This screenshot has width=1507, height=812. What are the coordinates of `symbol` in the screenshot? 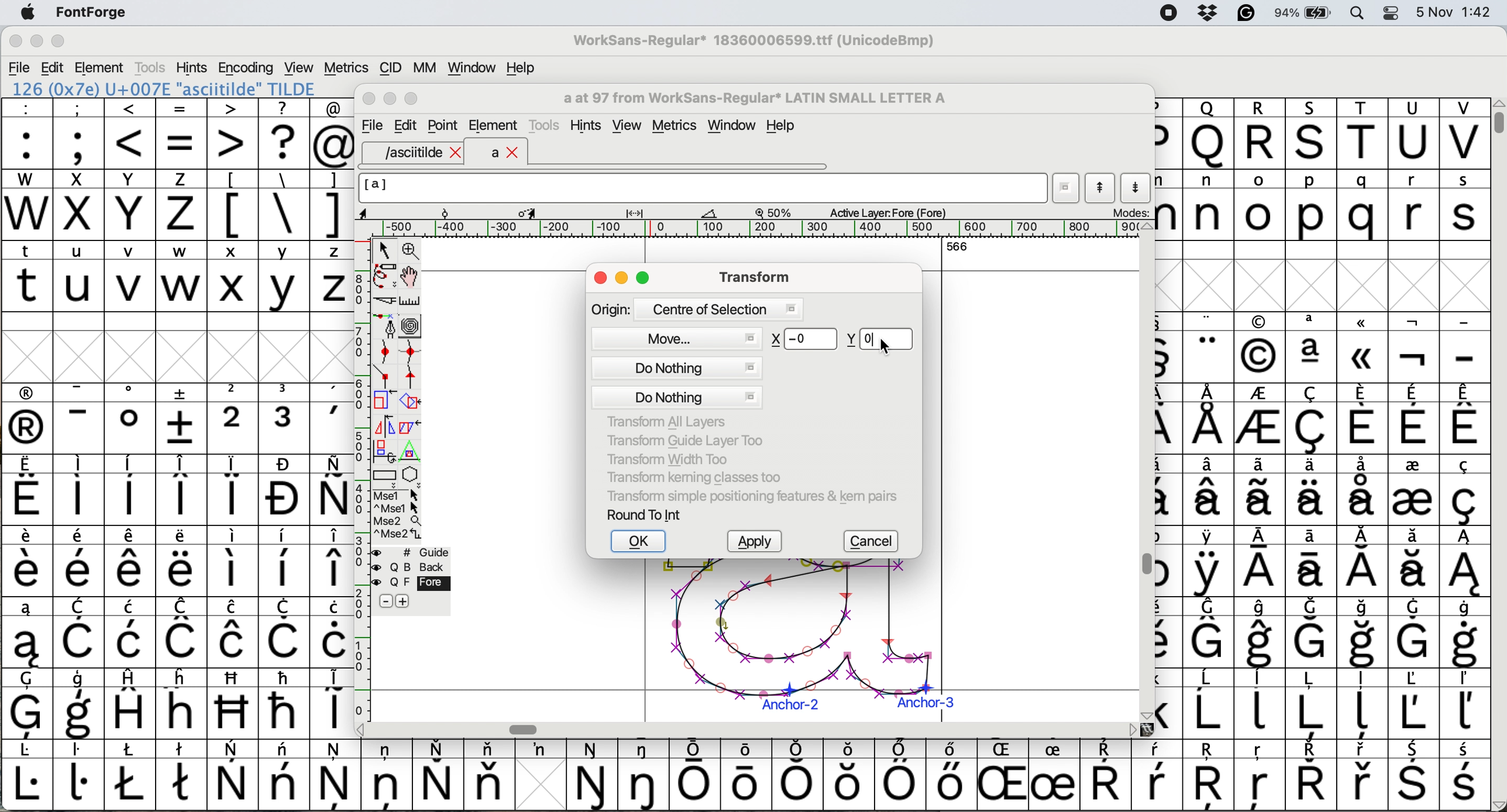 It's located at (1208, 562).